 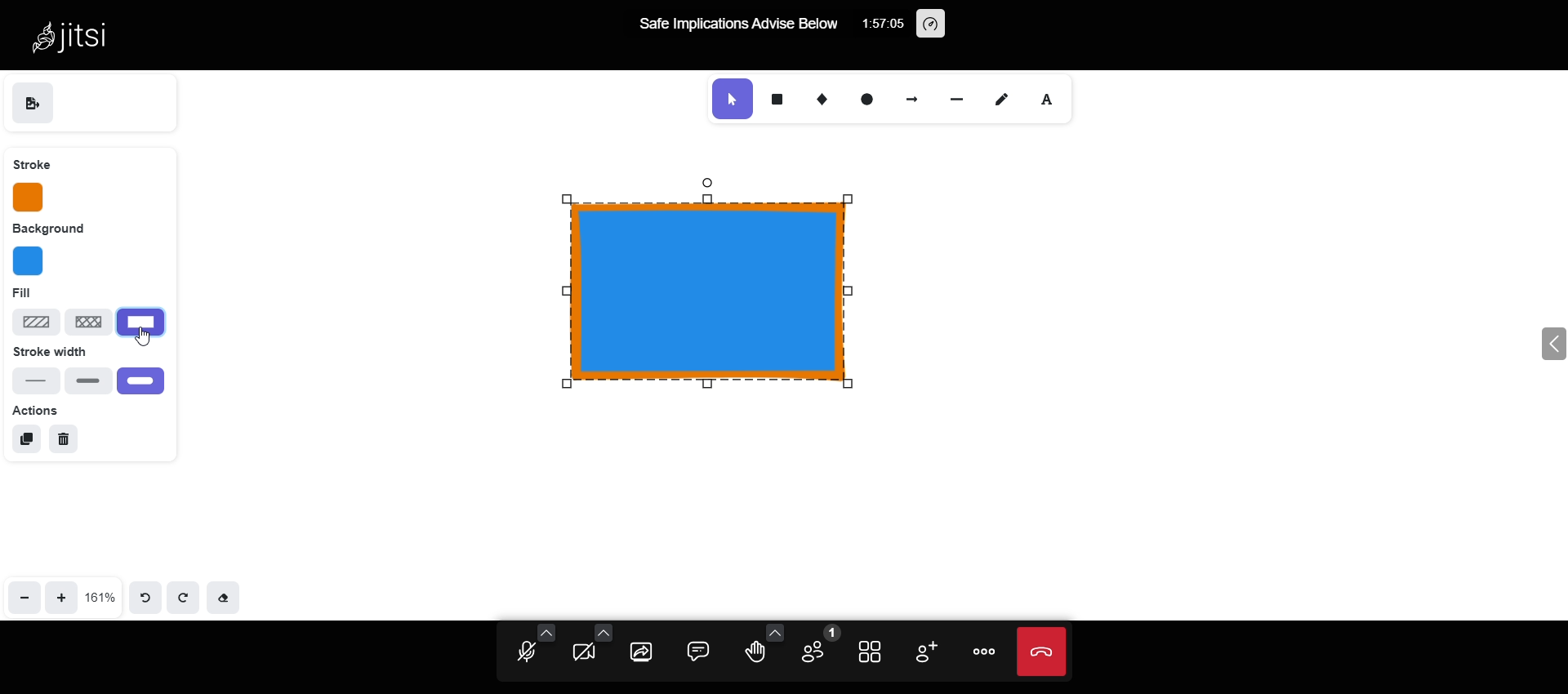 What do you see at coordinates (89, 318) in the screenshot?
I see `cross hatch` at bounding box center [89, 318].